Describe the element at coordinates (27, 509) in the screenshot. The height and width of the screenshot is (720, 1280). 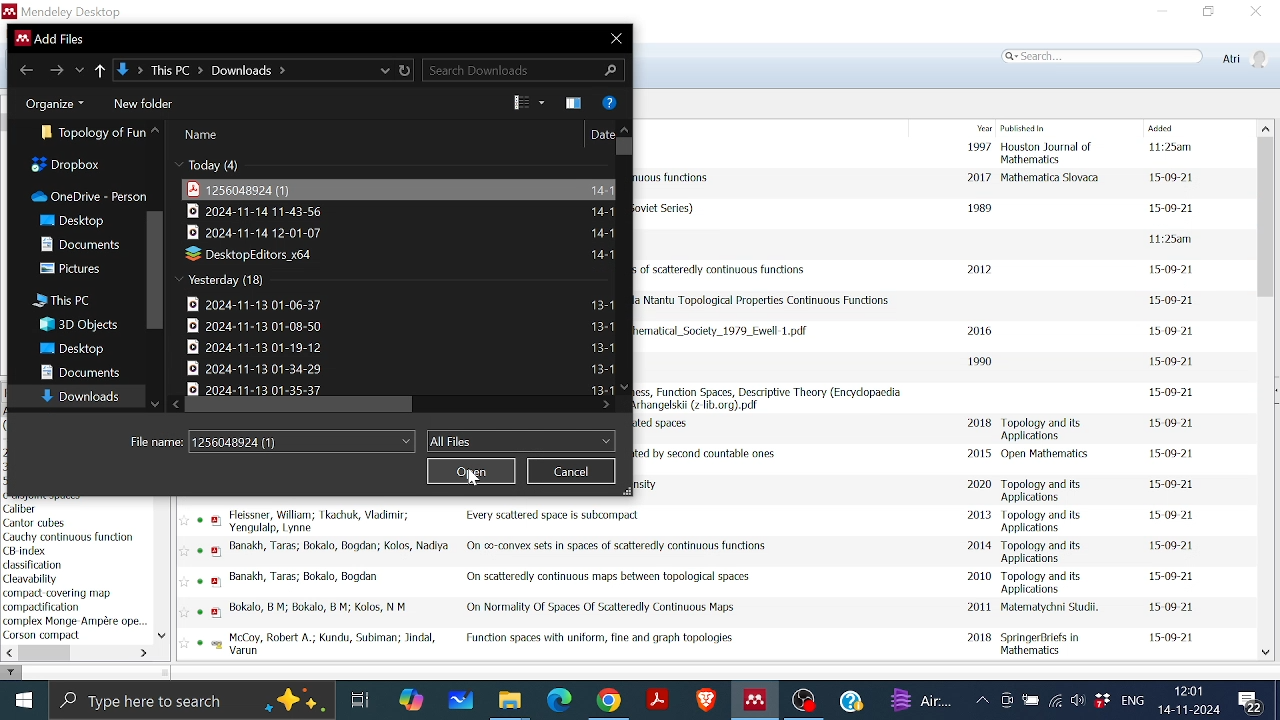
I see `keyword` at that location.